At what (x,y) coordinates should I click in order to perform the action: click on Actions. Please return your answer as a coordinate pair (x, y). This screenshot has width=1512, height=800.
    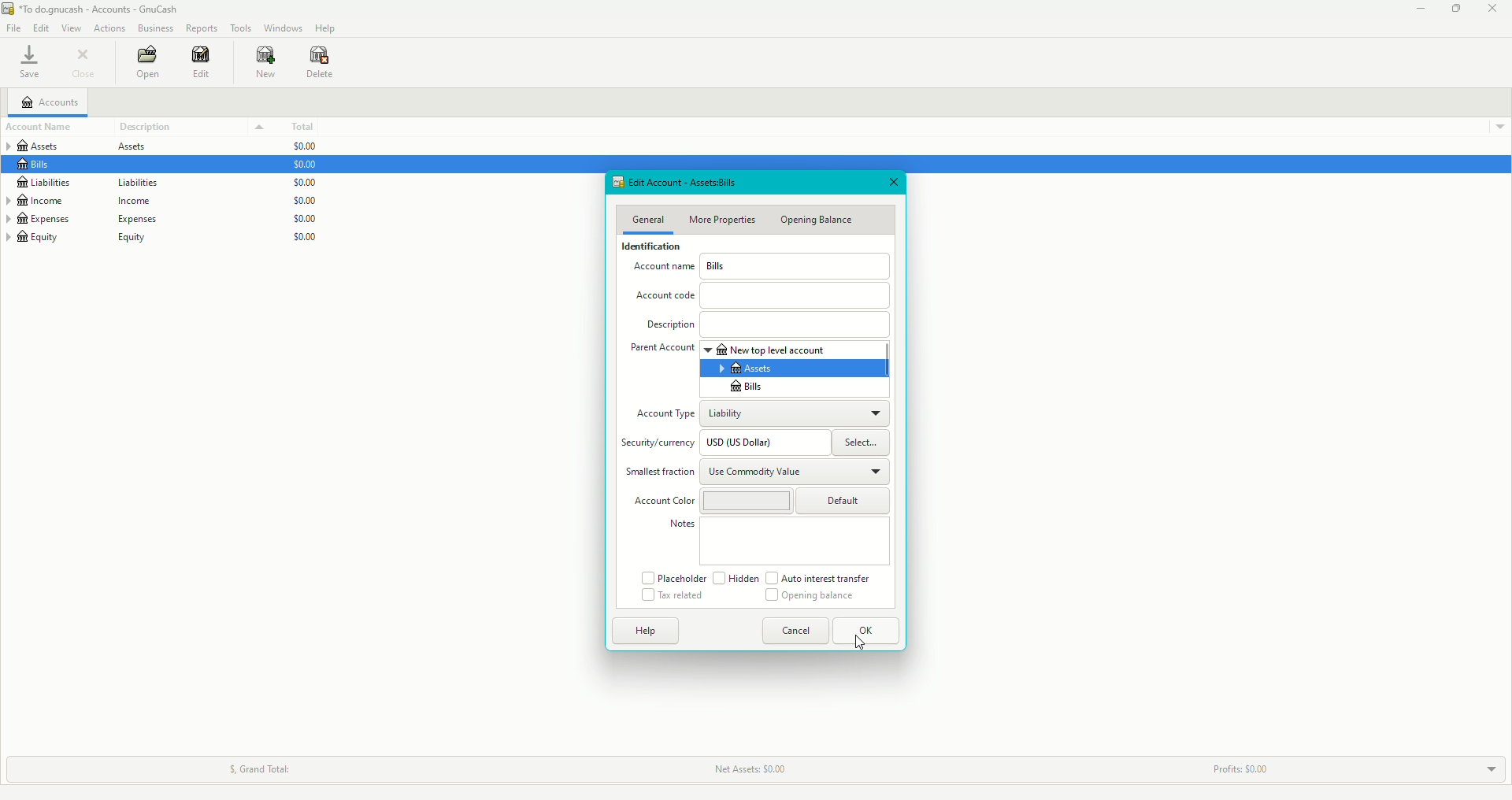
    Looking at the image, I should click on (108, 27).